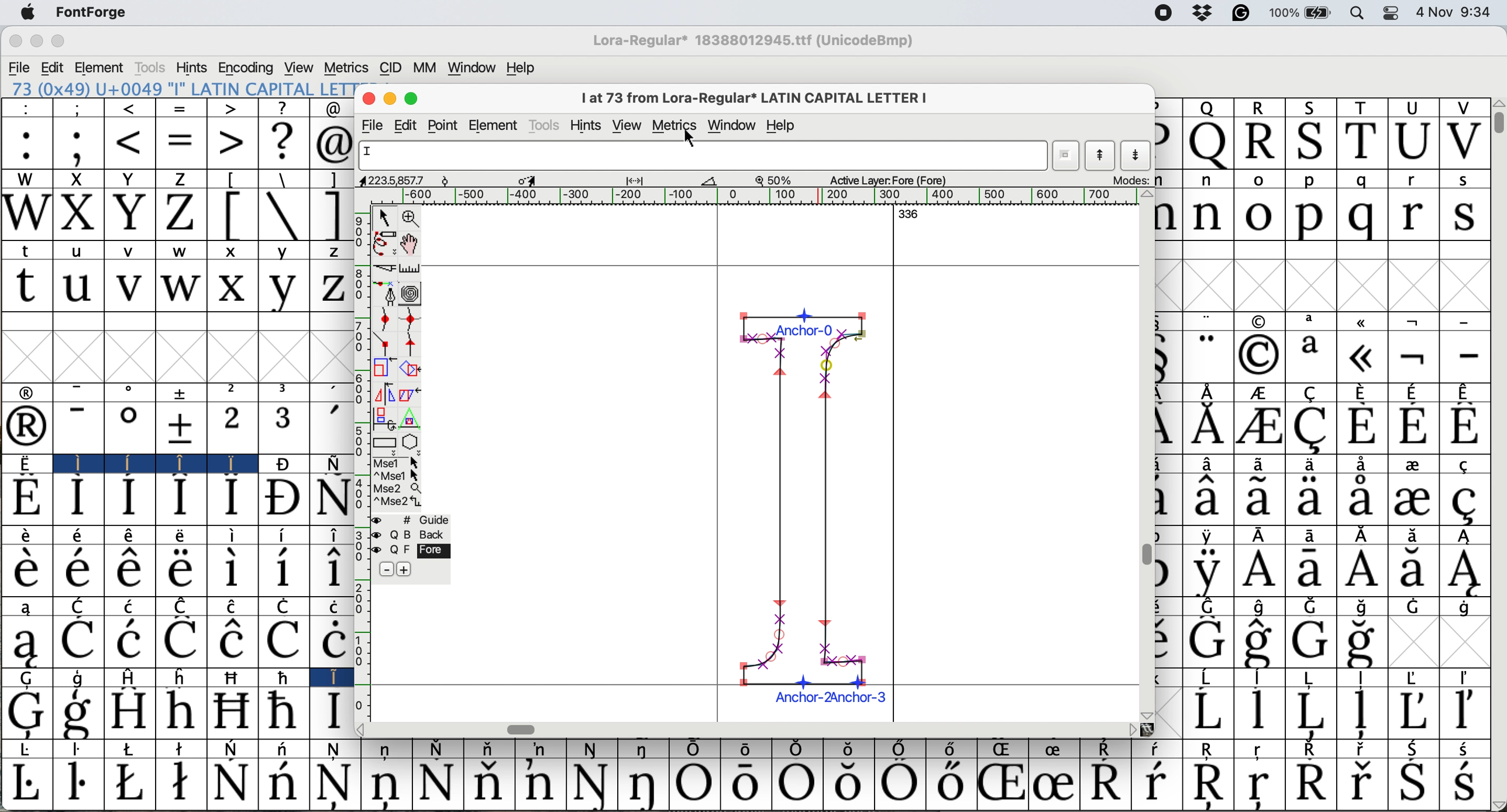 This screenshot has width=1507, height=812. I want to click on Symbol, so click(78, 783).